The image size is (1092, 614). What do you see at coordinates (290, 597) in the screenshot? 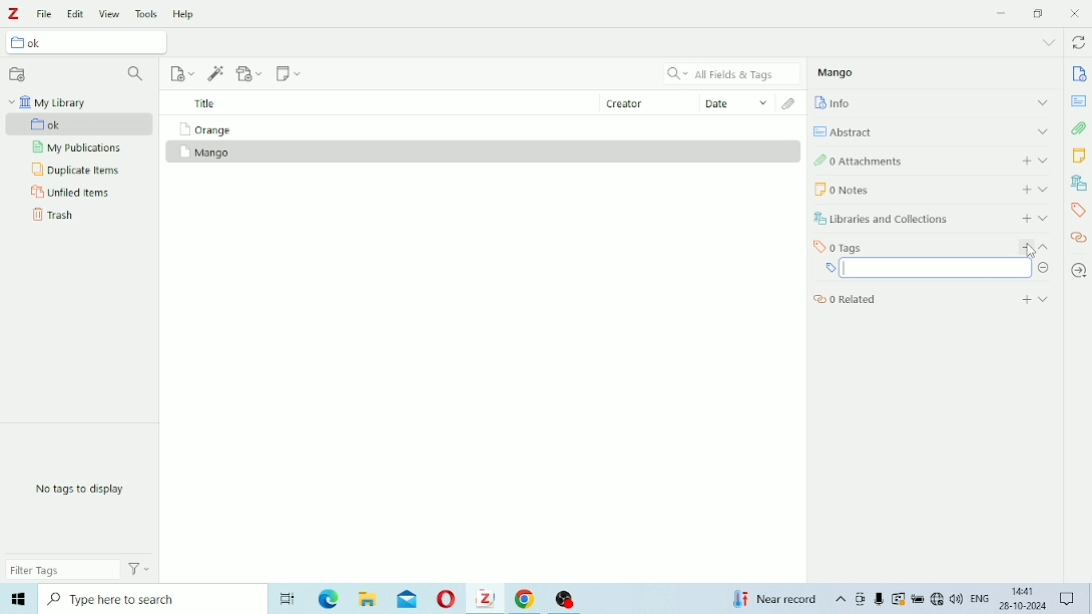
I see `Task View` at bounding box center [290, 597].